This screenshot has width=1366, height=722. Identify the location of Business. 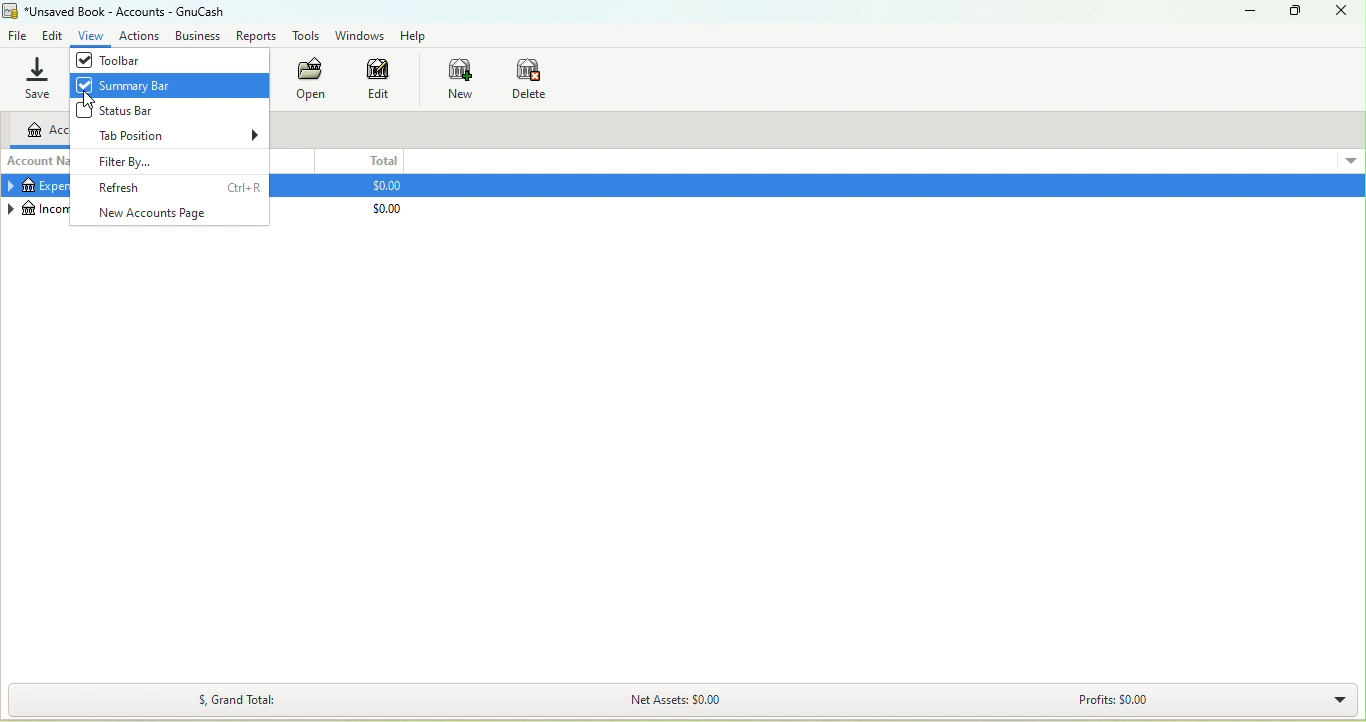
(200, 37).